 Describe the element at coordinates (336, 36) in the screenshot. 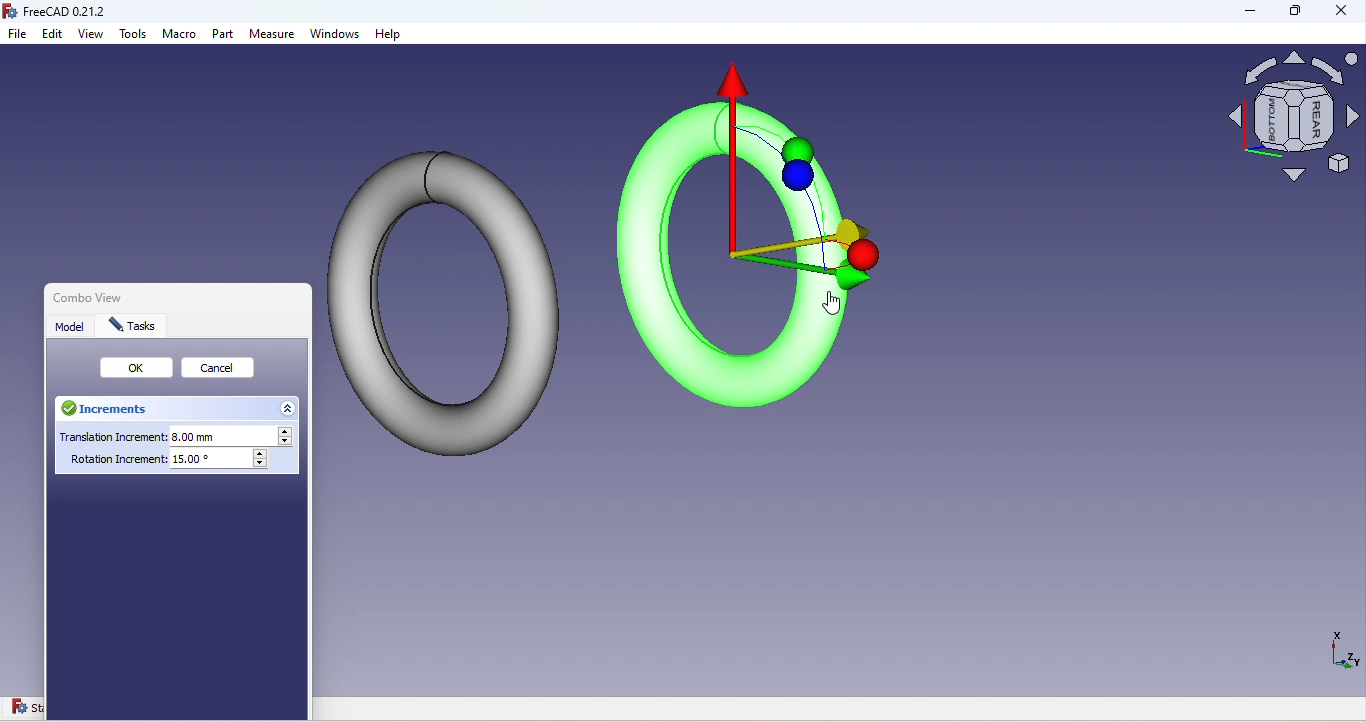

I see `Windows` at that location.